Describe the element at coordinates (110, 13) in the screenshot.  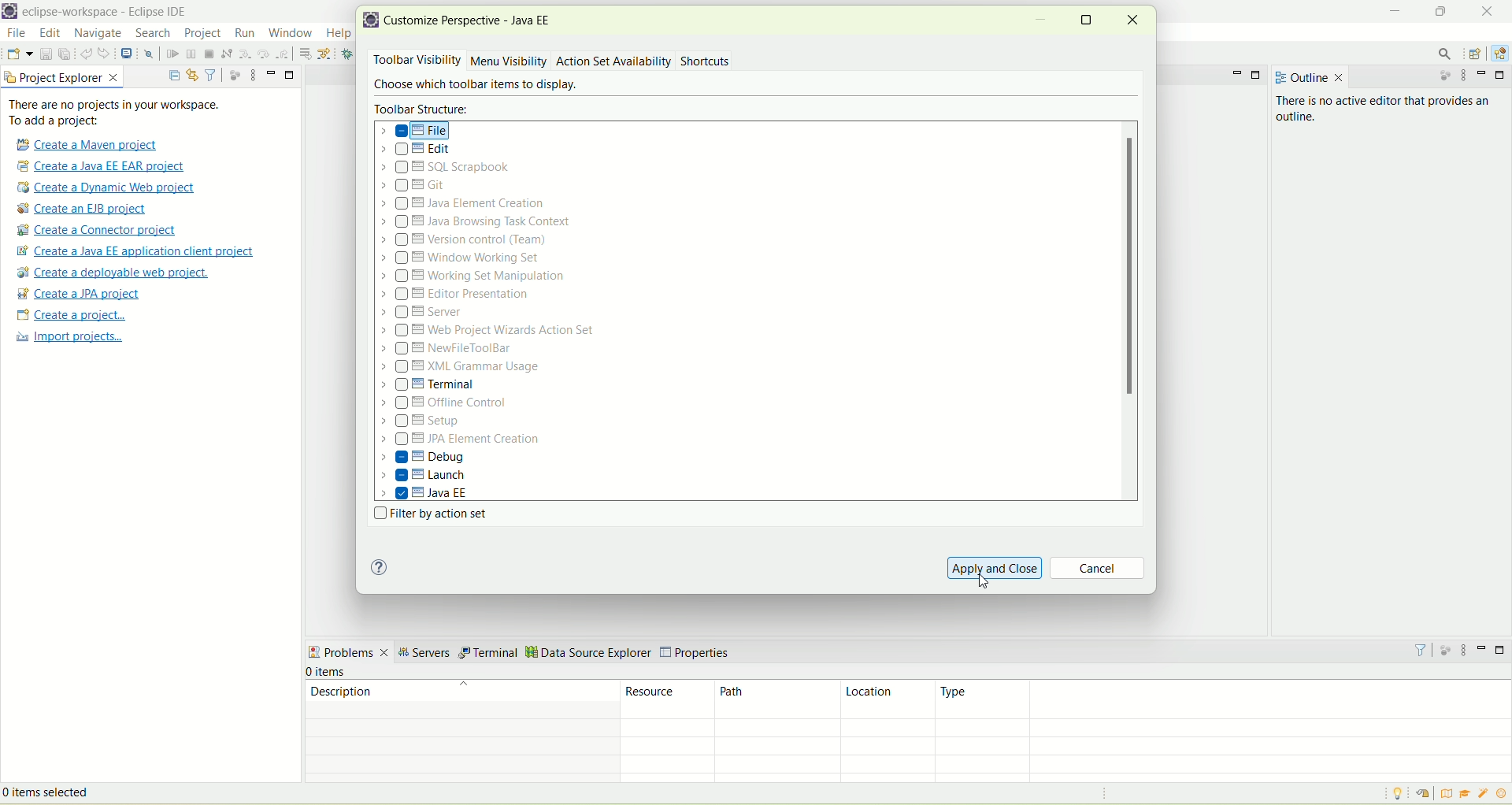
I see `eclipse workspace-Eclipse IDE` at that location.